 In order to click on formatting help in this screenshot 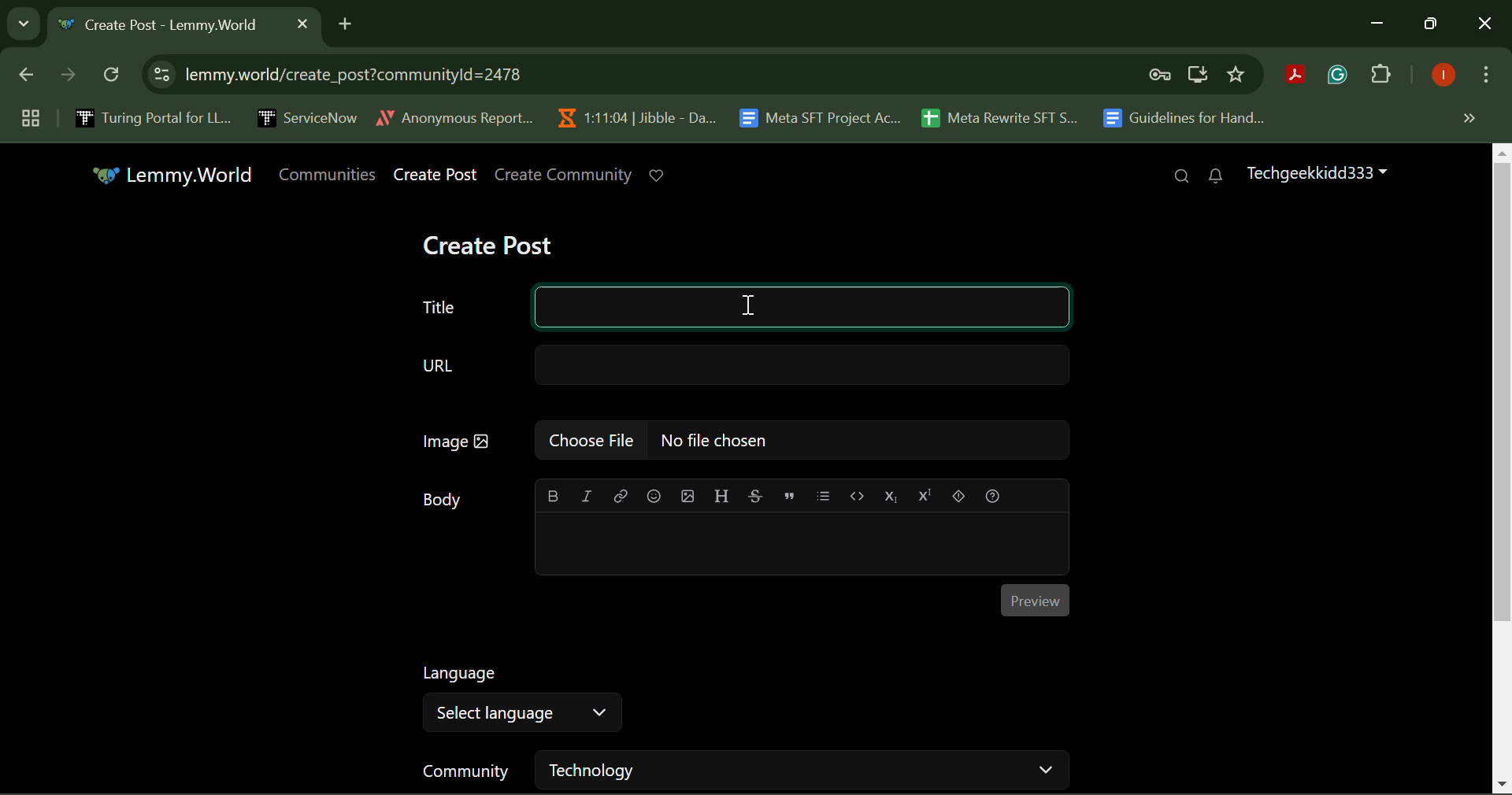, I will do `click(994, 496)`.